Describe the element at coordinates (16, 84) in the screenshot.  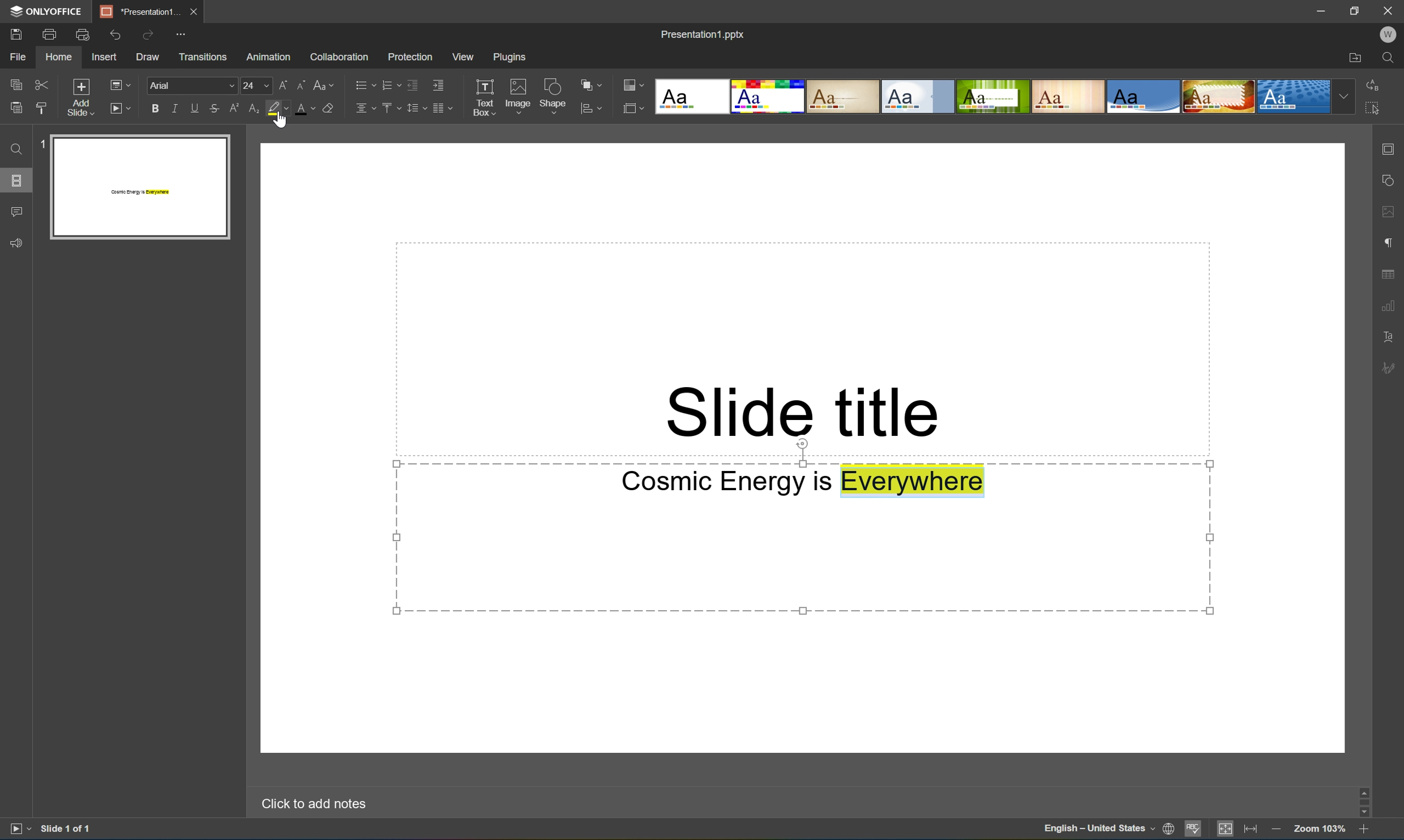
I see `Copy` at that location.